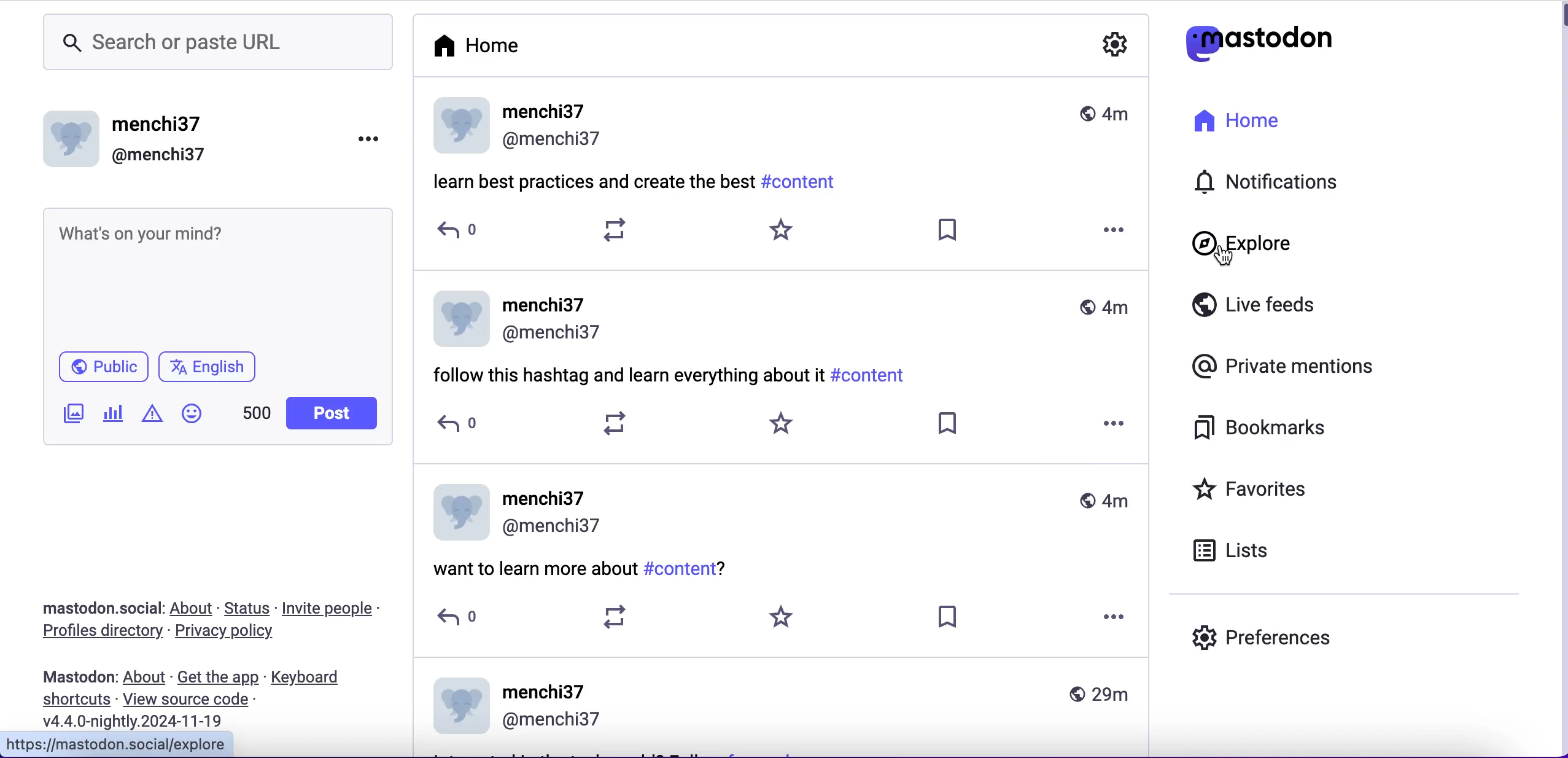 This screenshot has width=1568, height=758. Describe the element at coordinates (199, 700) in the screenshot. I see `view source code` at that location.